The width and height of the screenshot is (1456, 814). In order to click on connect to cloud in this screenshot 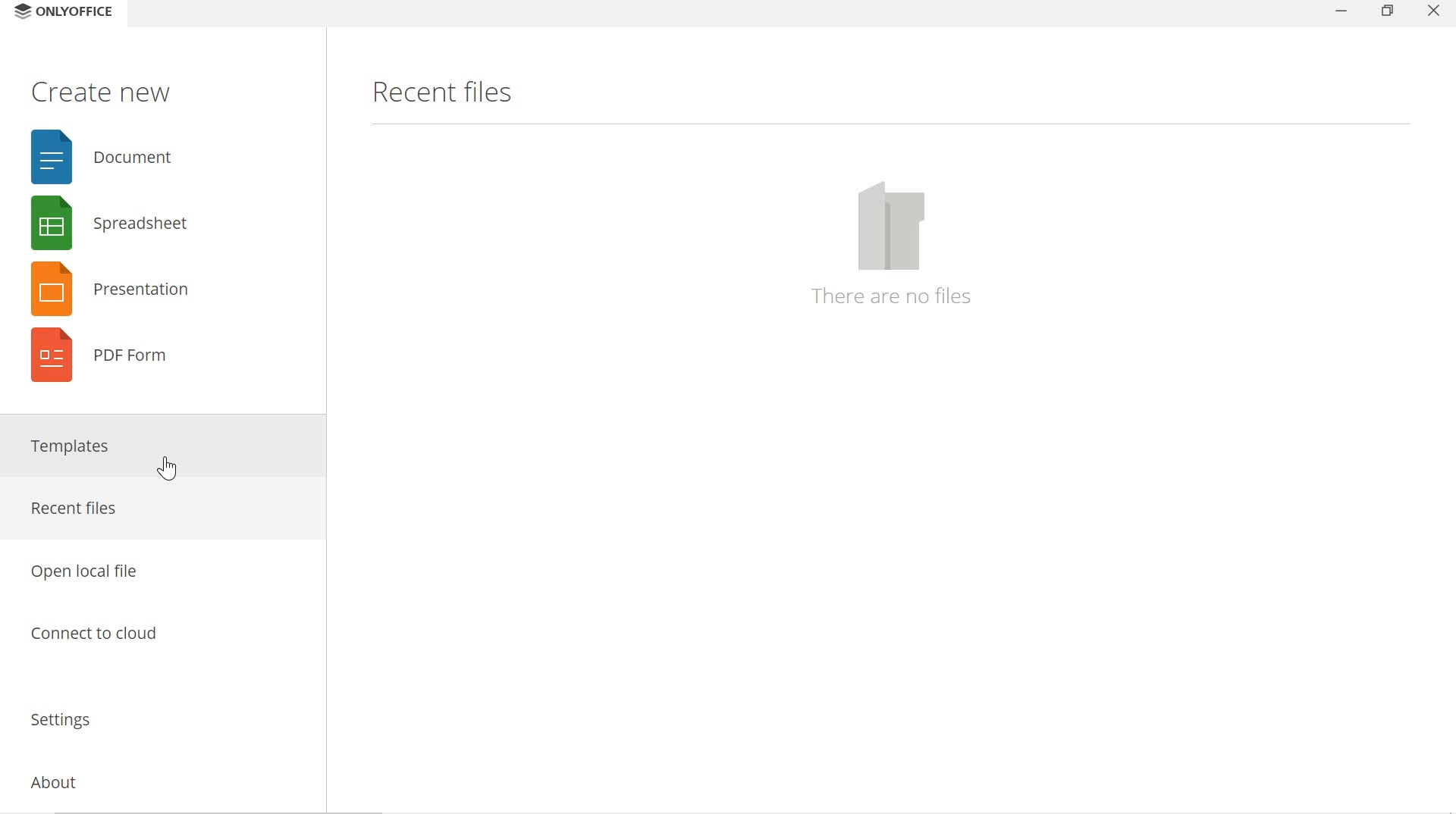, I will do `click(156, 640)`.